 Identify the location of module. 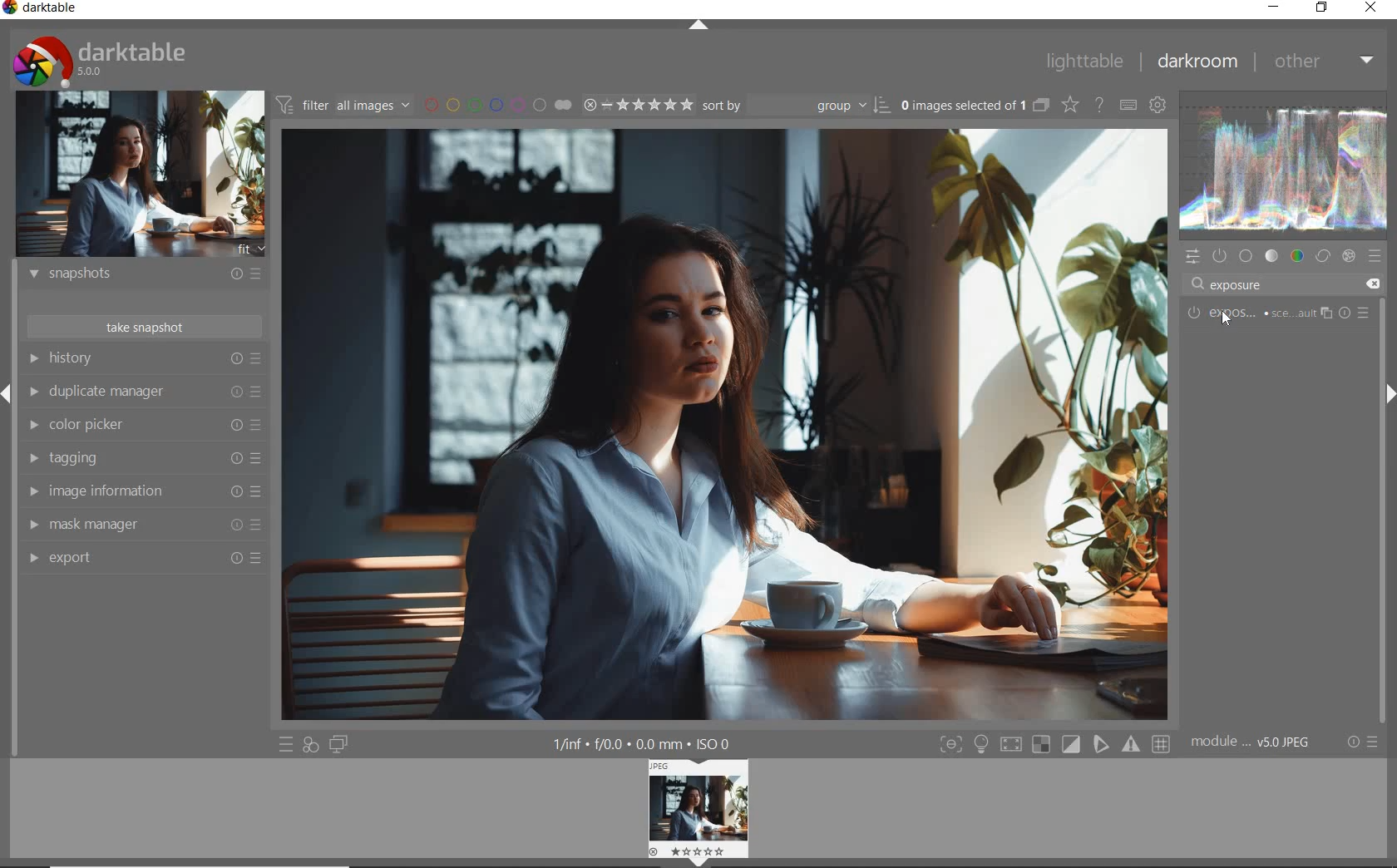
(1253, 744).